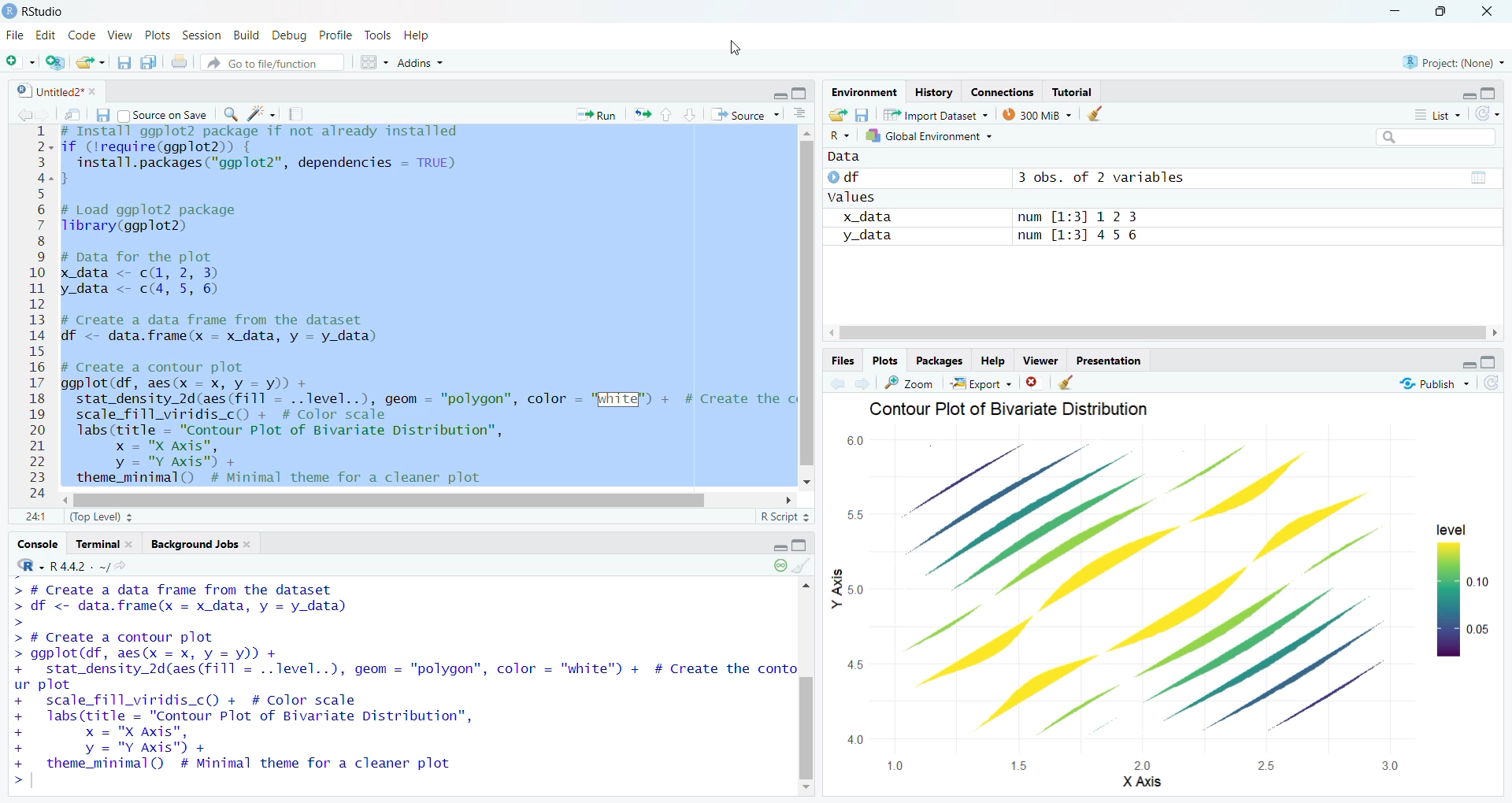  I want to click on hide console, so click(1488, 362).